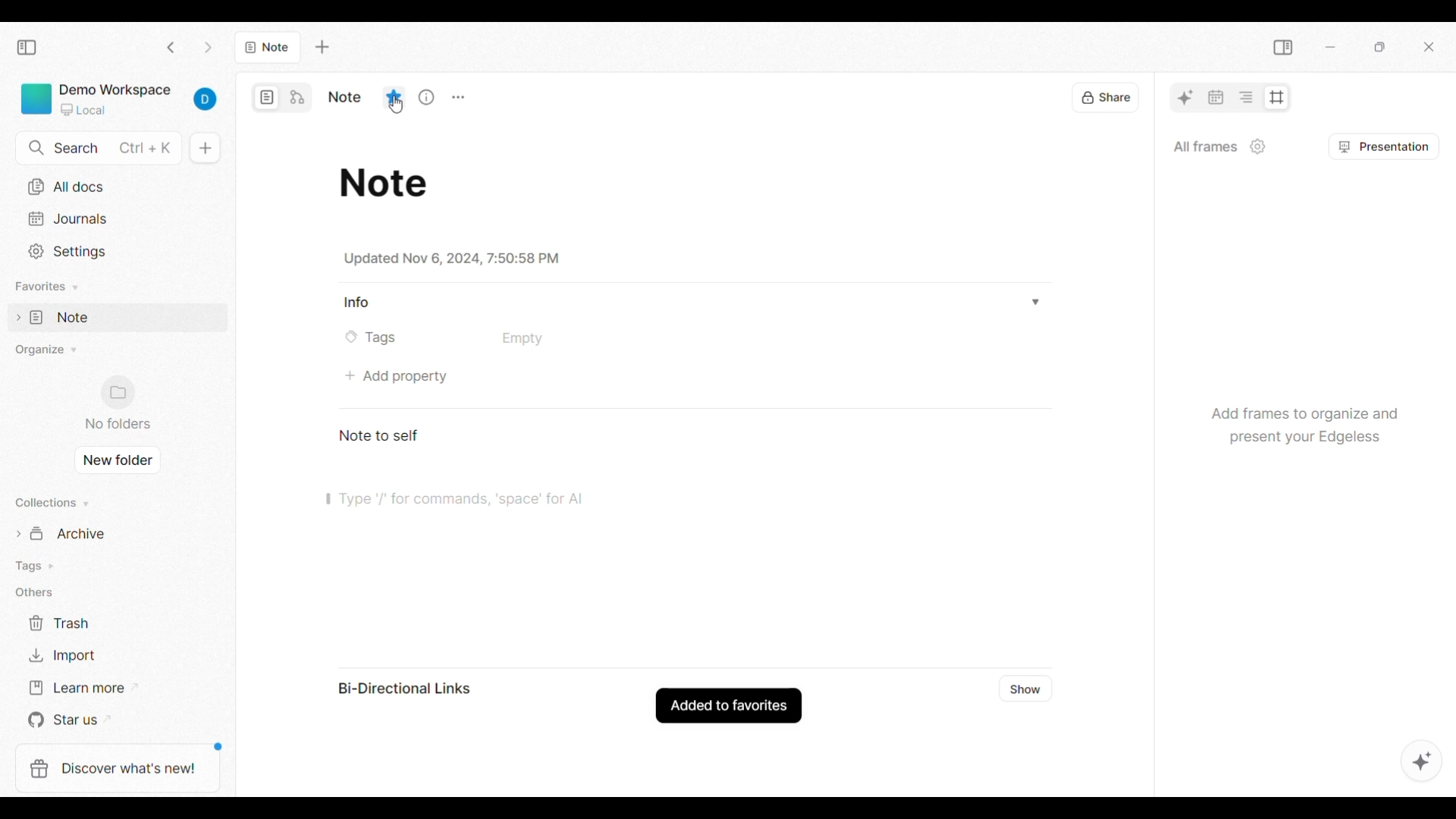 The image size is (1456, 819). Describe the element at coordinates (171, 47) in the screenshot. I see `Go back` at that location.